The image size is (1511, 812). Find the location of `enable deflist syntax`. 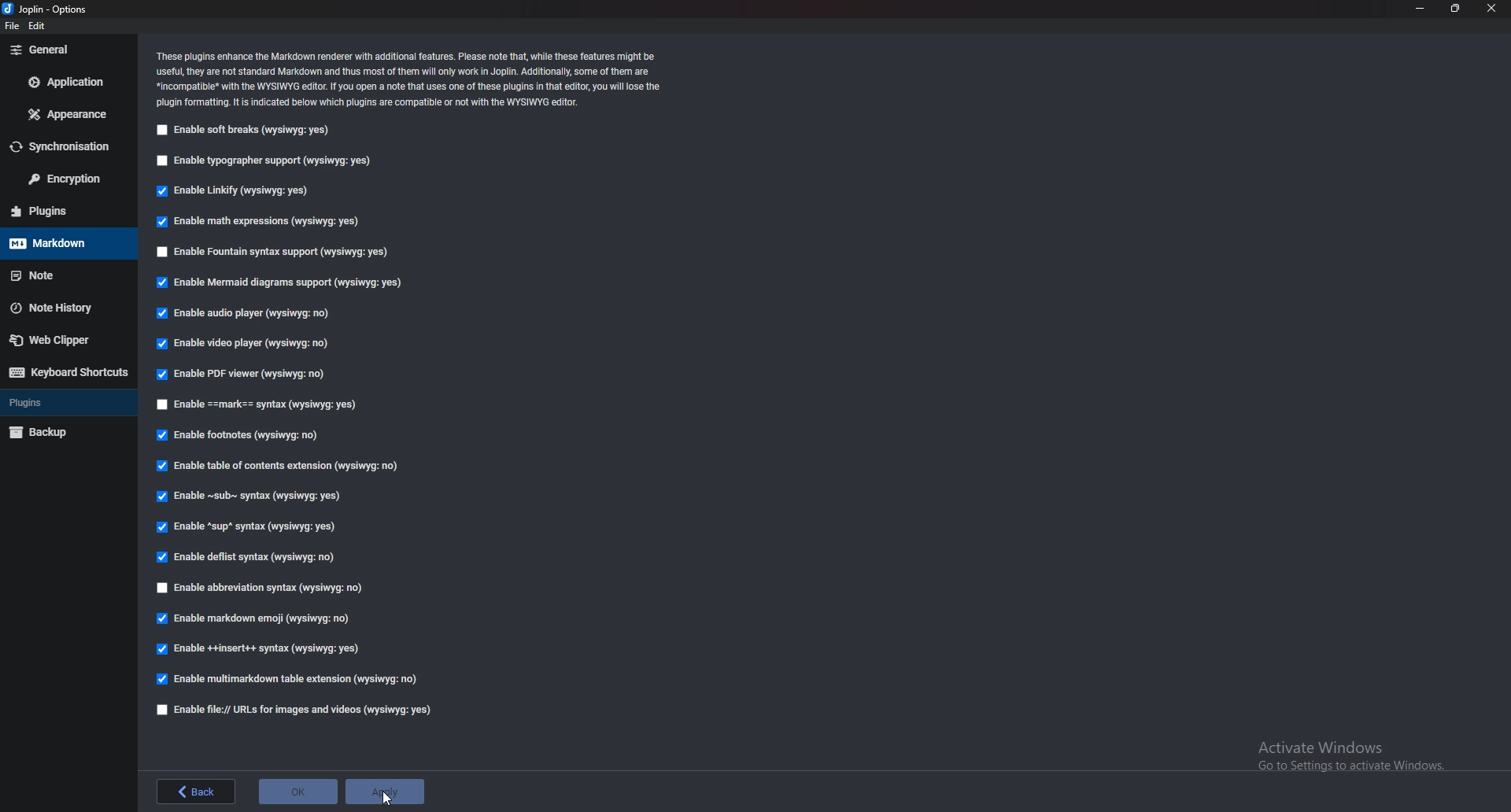

enable deflist syntax is located at coordinates (246, 557).